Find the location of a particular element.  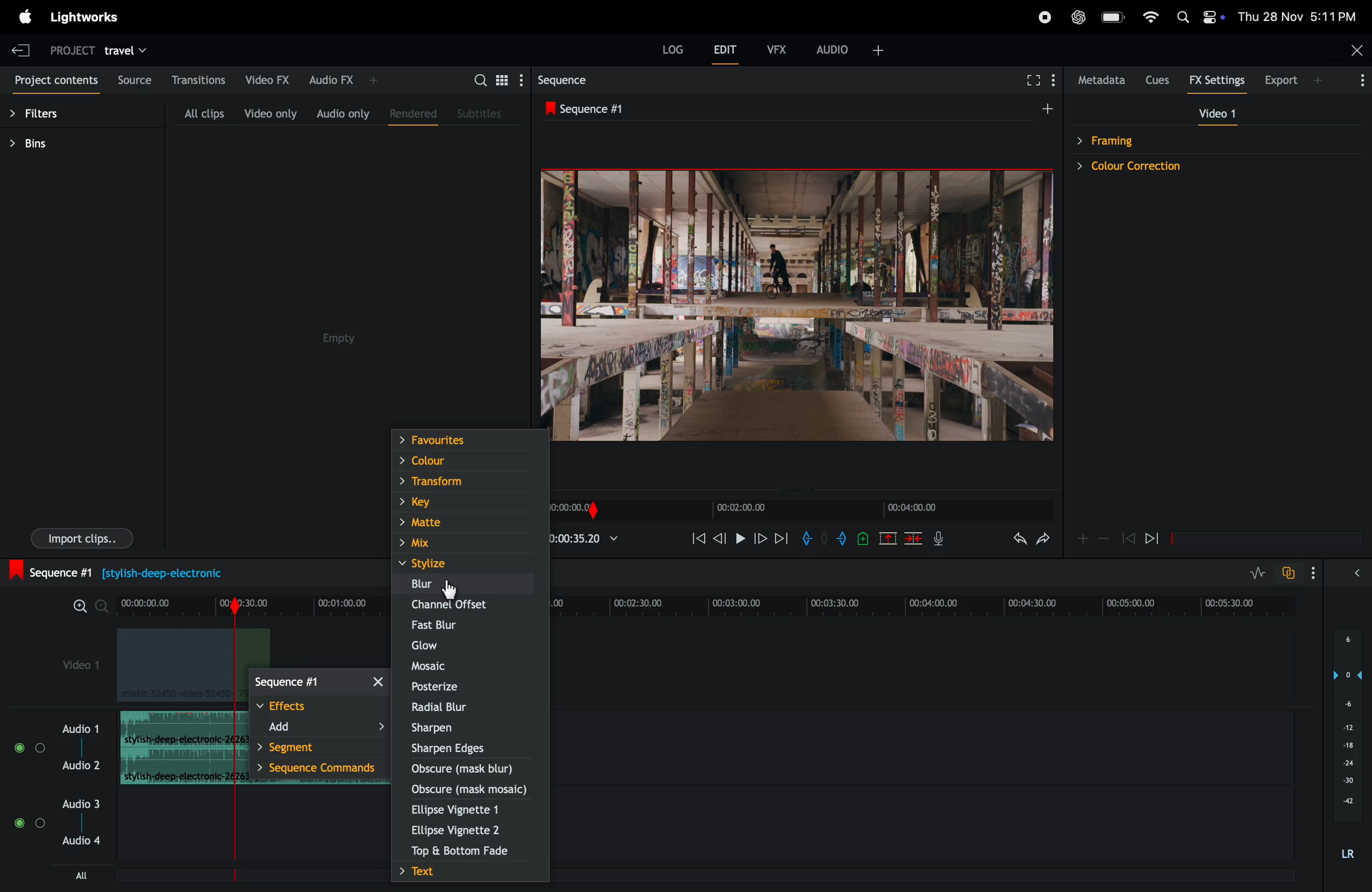

add an out mark is located at coordinates (839, 540).